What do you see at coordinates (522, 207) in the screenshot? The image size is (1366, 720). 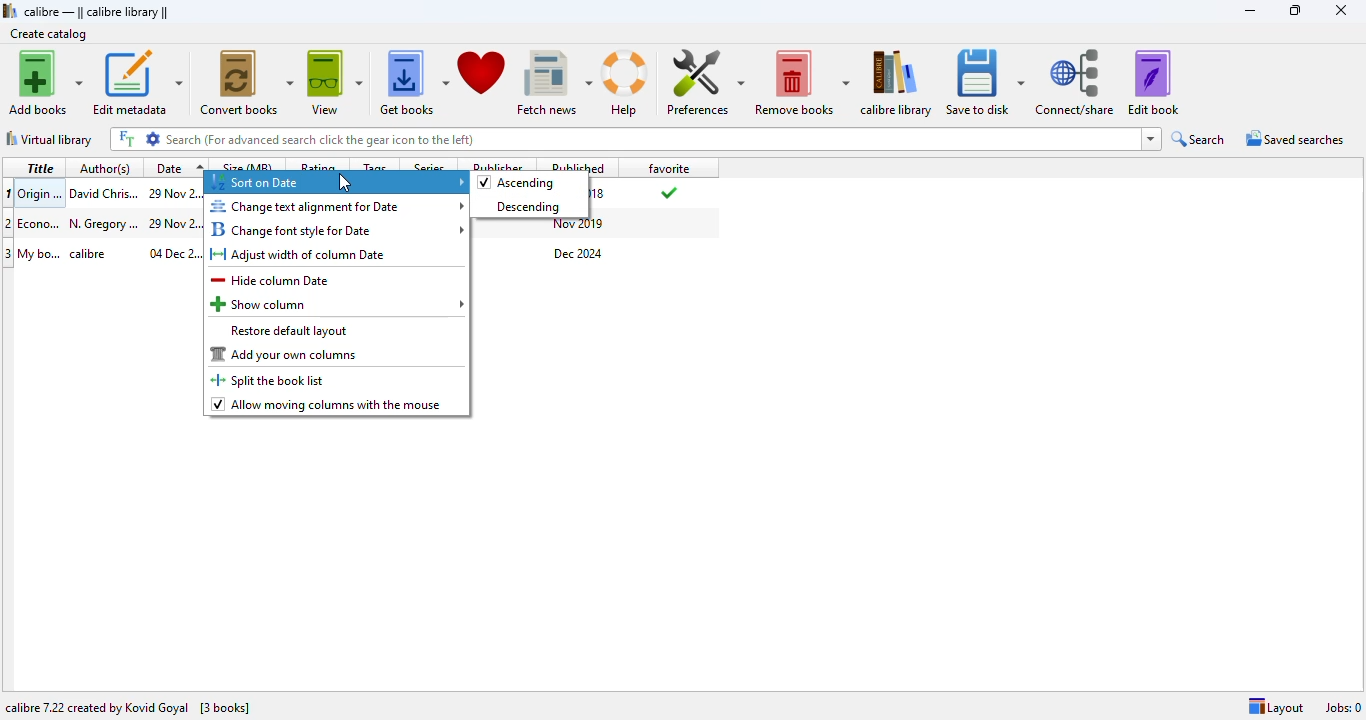 I see `descending` at bounding box center [522, 207].